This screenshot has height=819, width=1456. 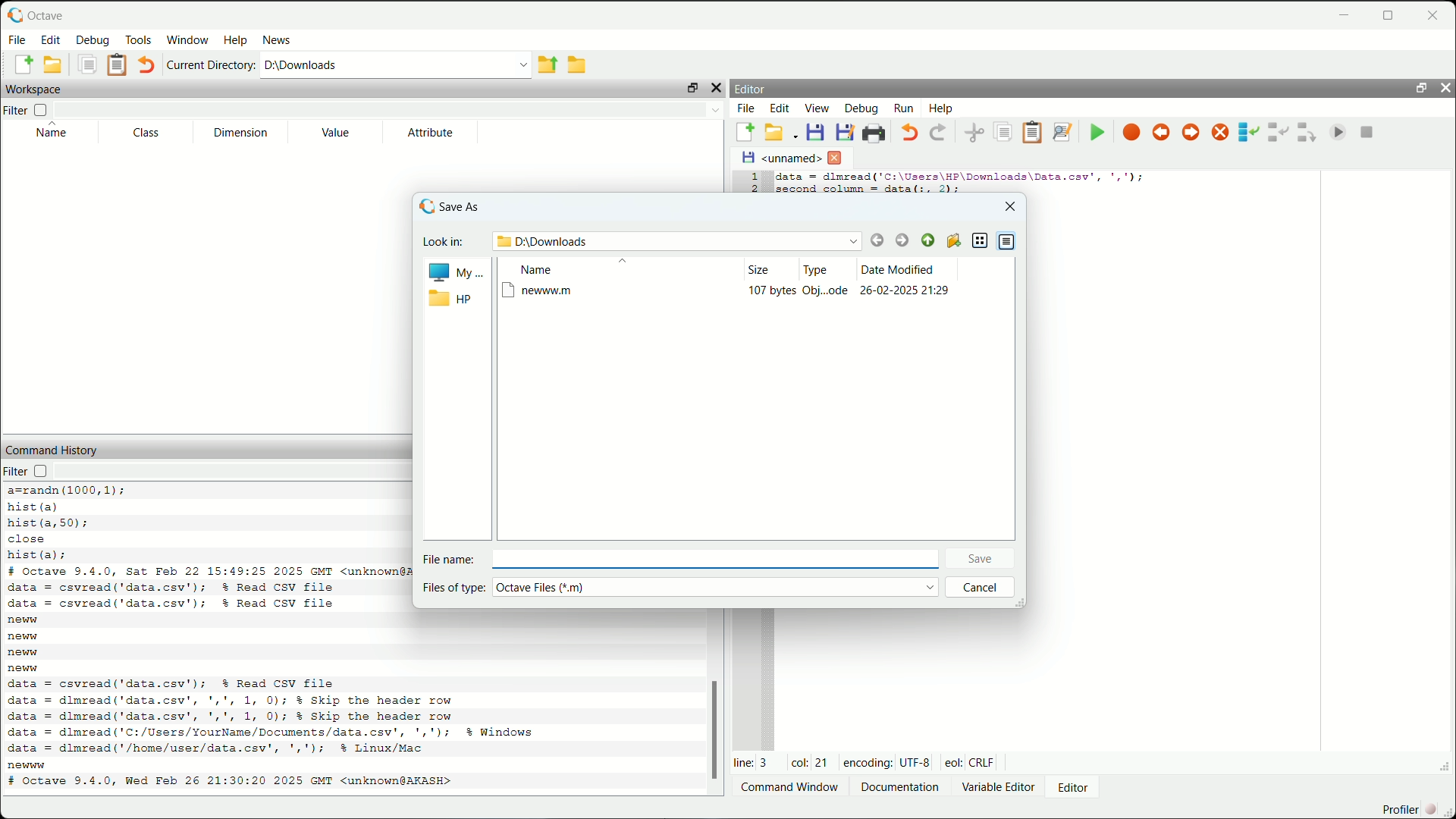 I want to click on filter input field, so click(x=239, y=472).